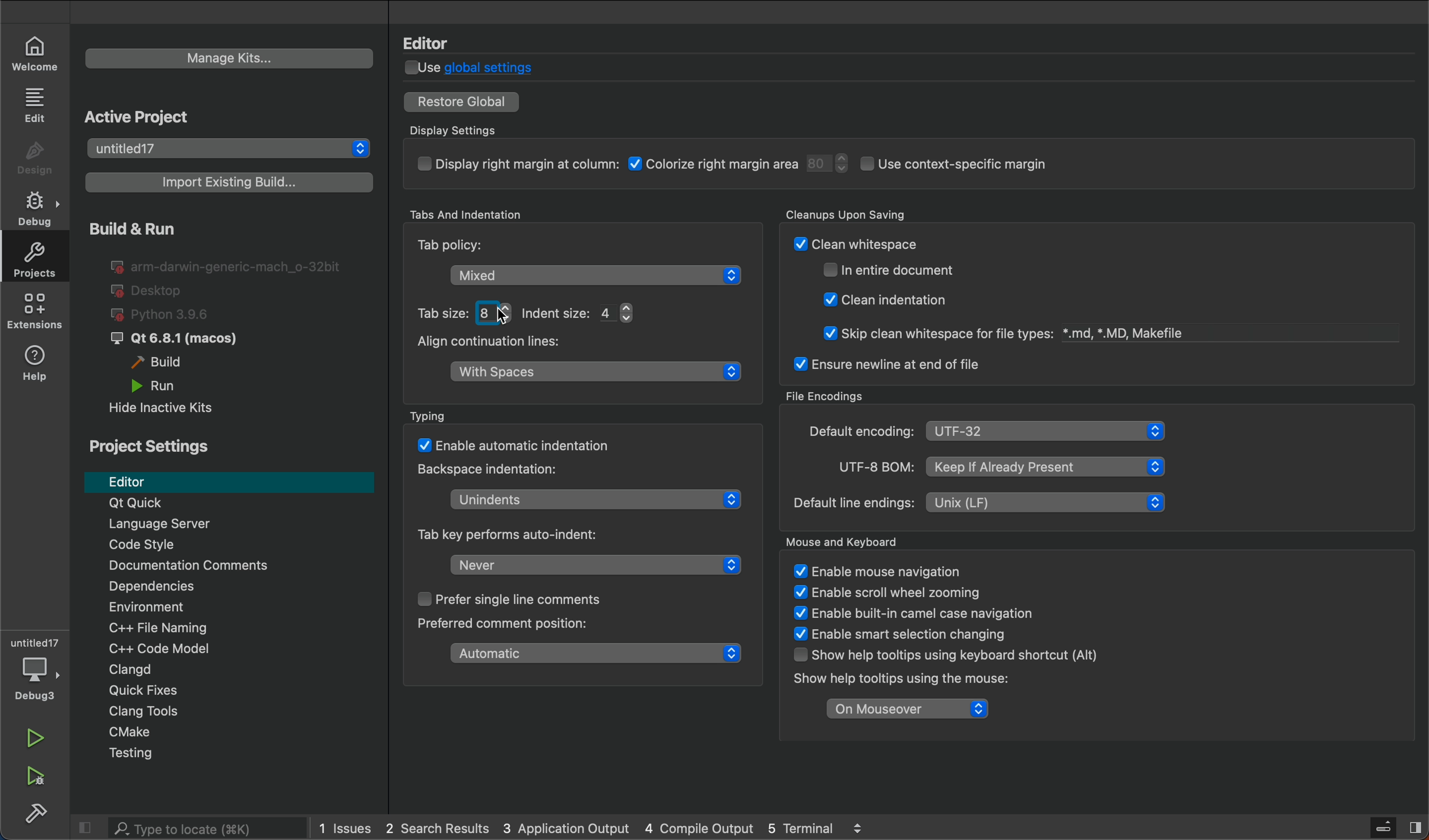 This screenshot has height=840, width=1429. I want to click on select project, so click(230, 149).